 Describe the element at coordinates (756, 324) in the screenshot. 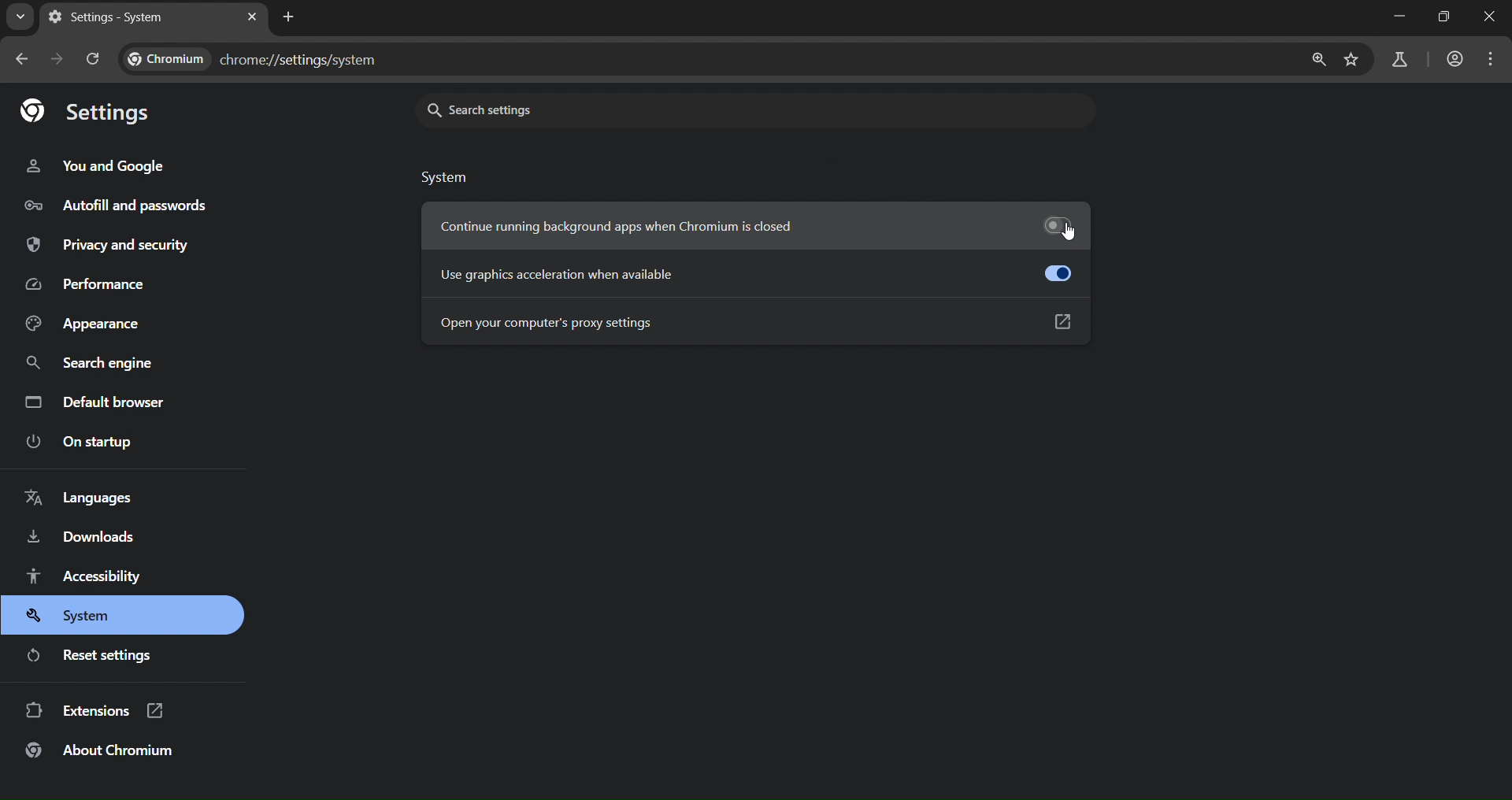

I see `open your computer's proxy settings` at that location.